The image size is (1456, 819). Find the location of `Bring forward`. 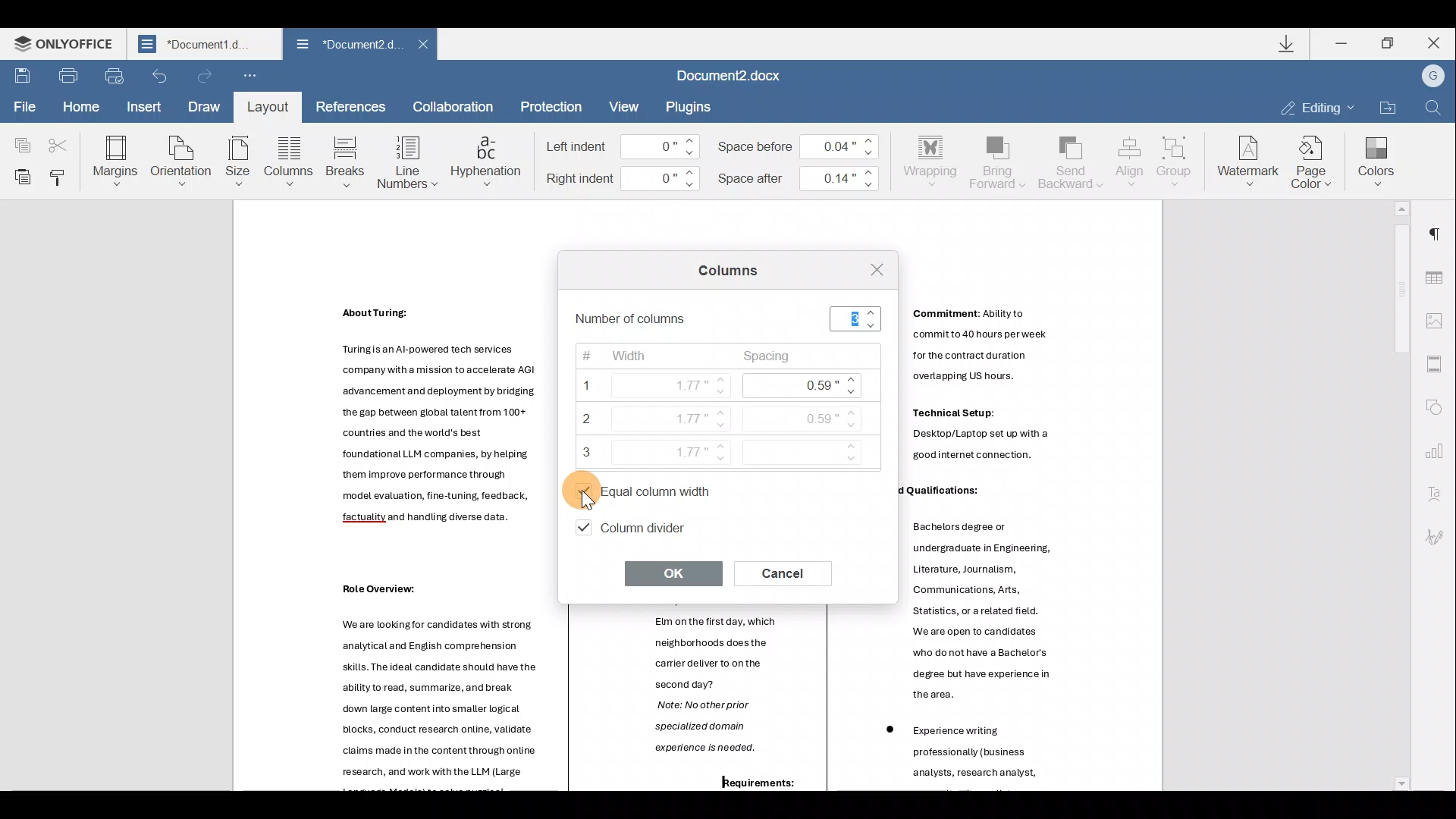

Bring forward is located at coordinates (998, 160).